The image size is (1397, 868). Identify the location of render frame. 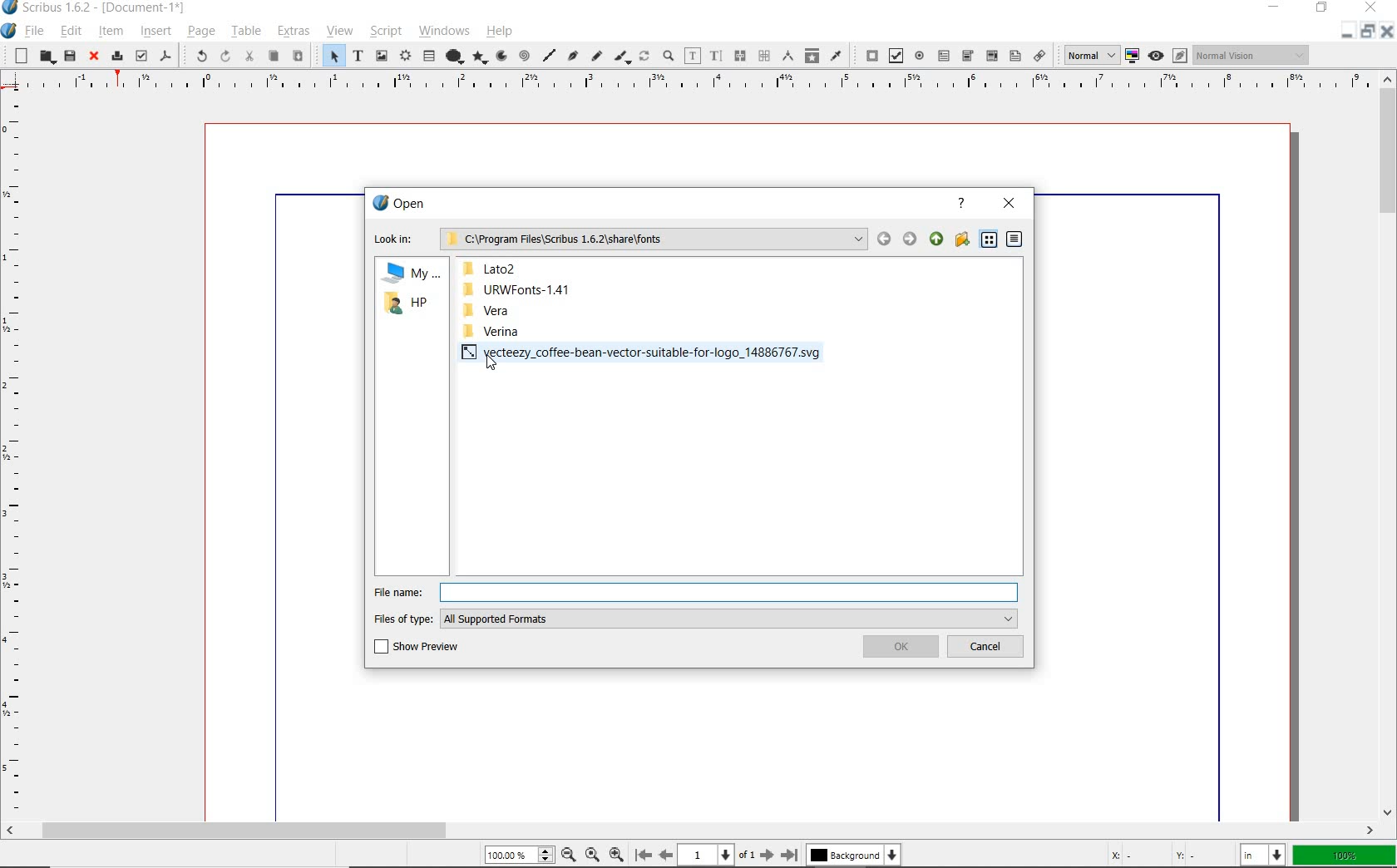
(403, 57).